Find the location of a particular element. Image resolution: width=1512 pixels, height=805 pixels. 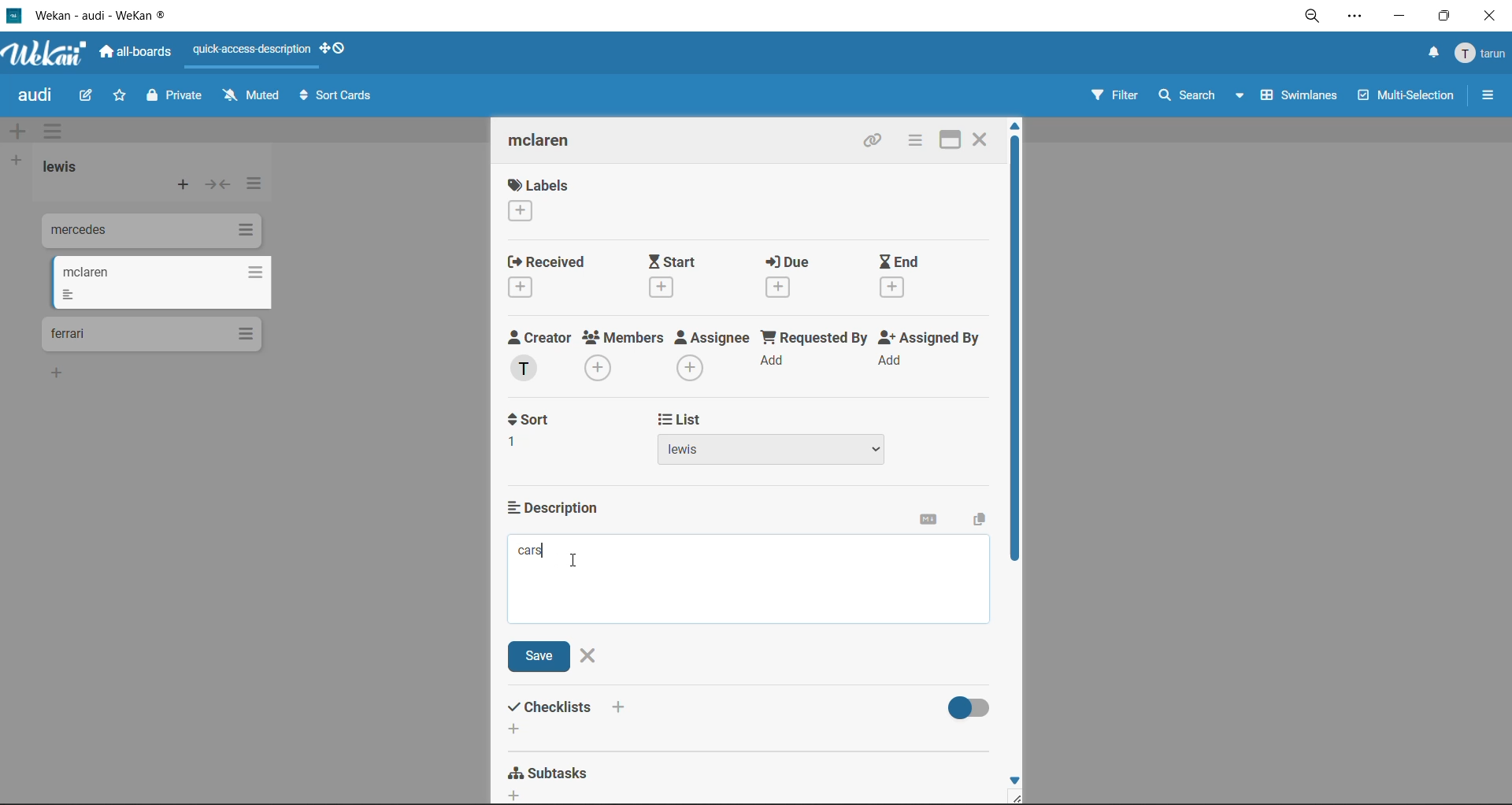

save is located at coordinates (542, 657).